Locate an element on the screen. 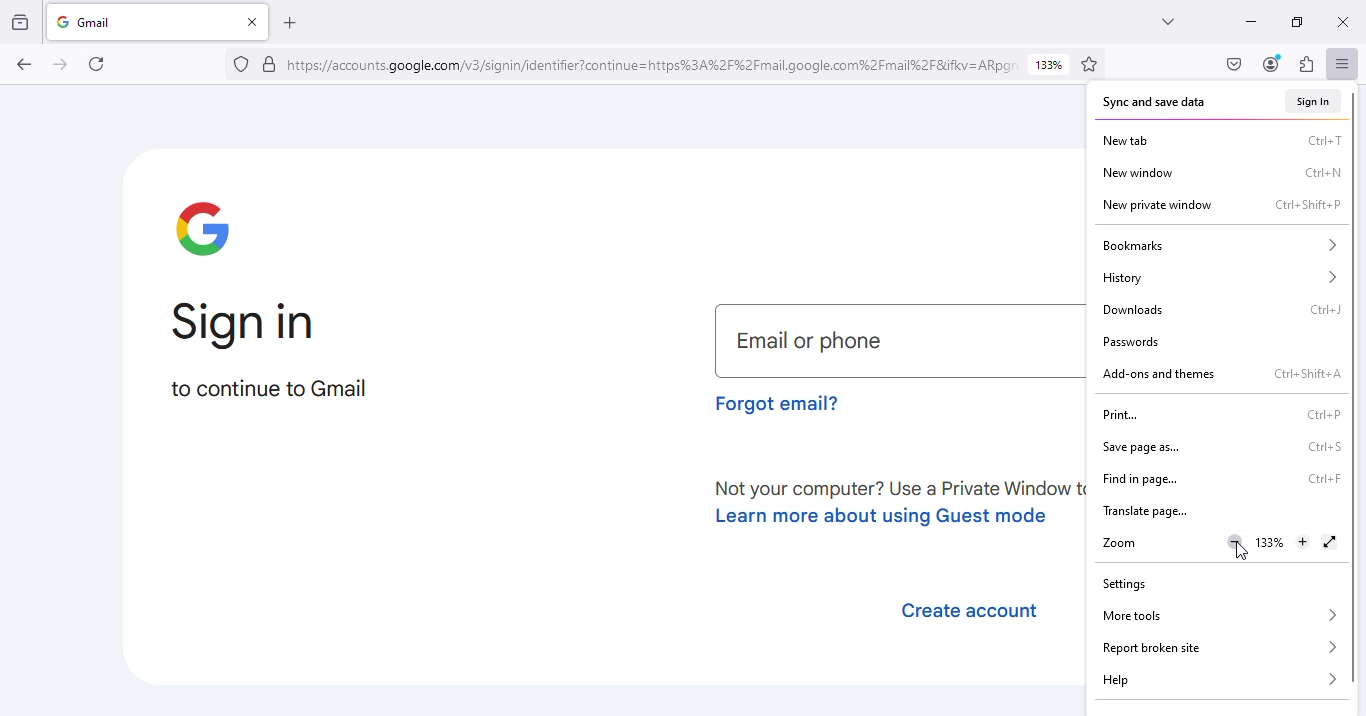 The image size is (1366, 716). passwords is located at coordinates (1131, 342).